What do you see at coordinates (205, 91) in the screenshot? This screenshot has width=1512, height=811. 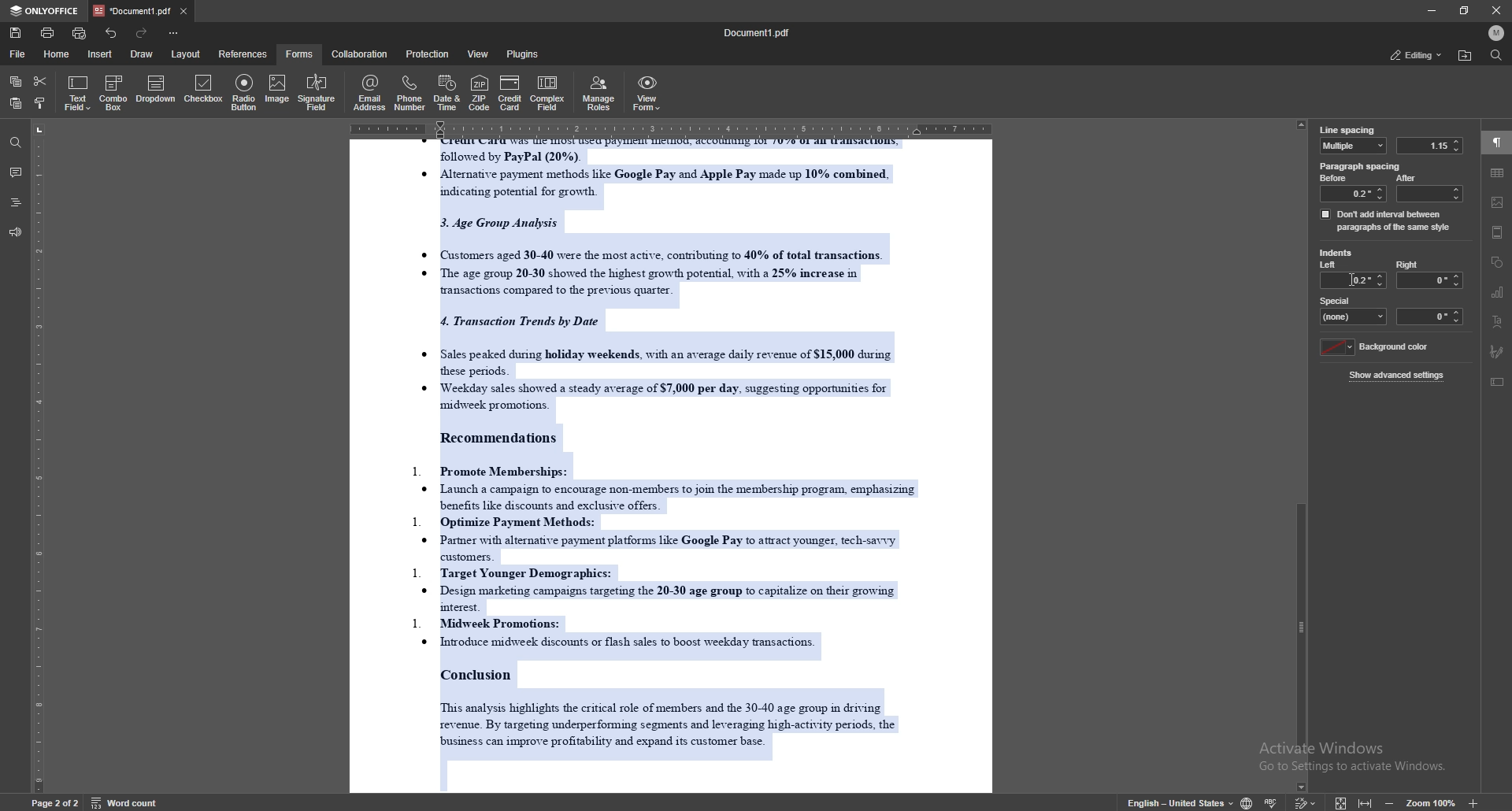 I see `checkbox` at bounding box center [205, 91].